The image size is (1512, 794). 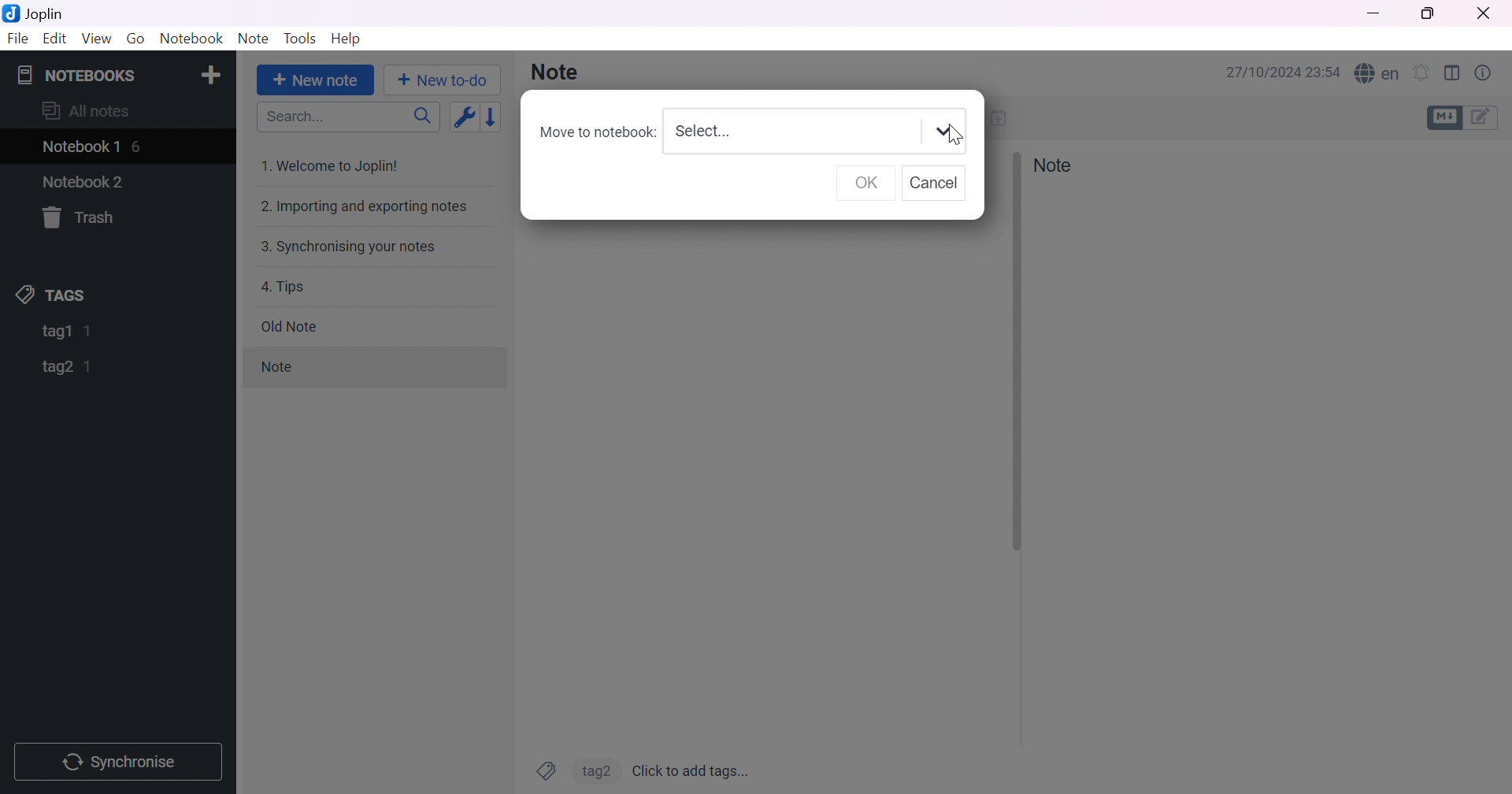 I want to click on 1. Welcome to Joplin!, so click(x=334, y=165).